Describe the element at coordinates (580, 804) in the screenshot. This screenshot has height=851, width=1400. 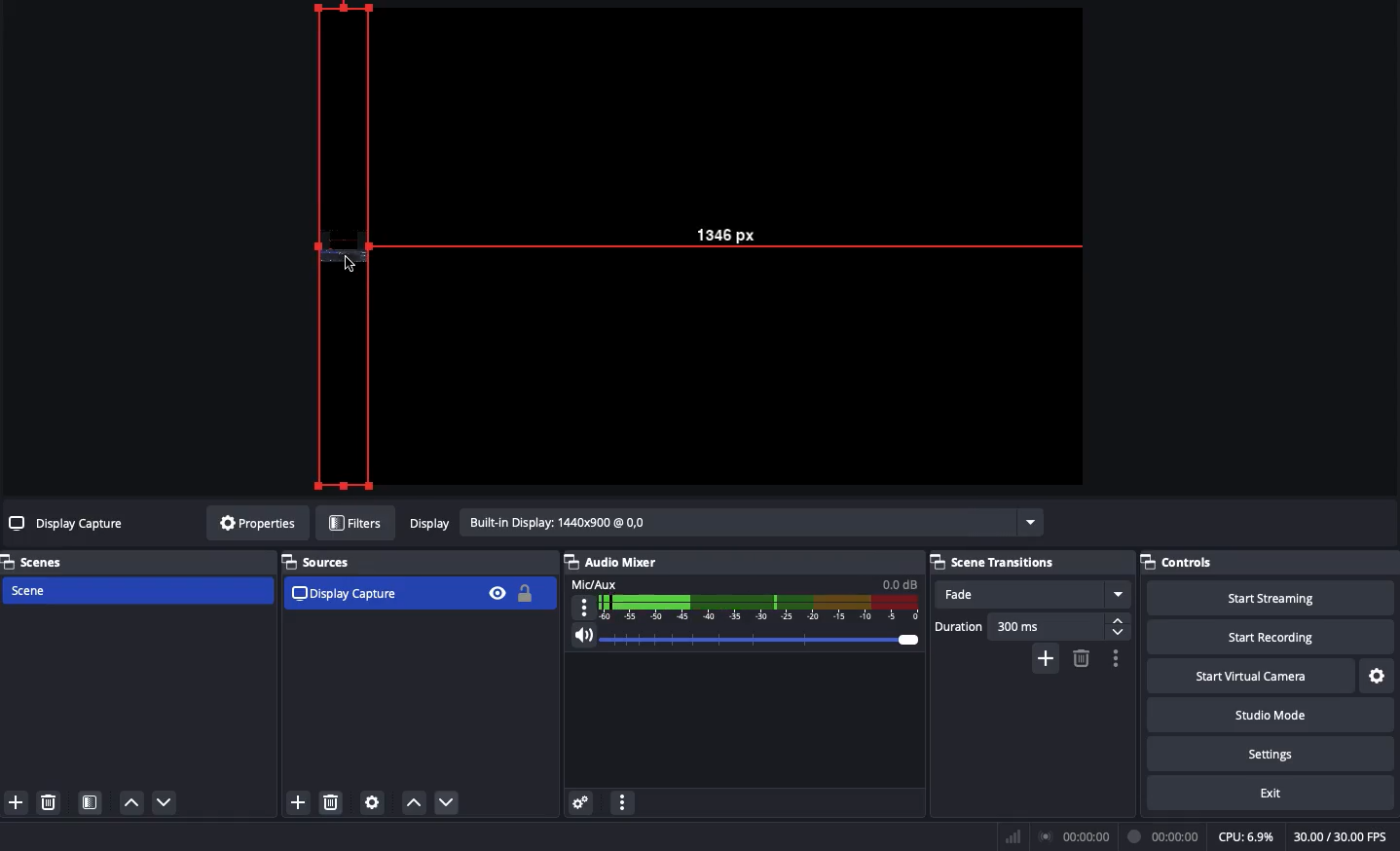
I see `Advanced audio properties` at that location.